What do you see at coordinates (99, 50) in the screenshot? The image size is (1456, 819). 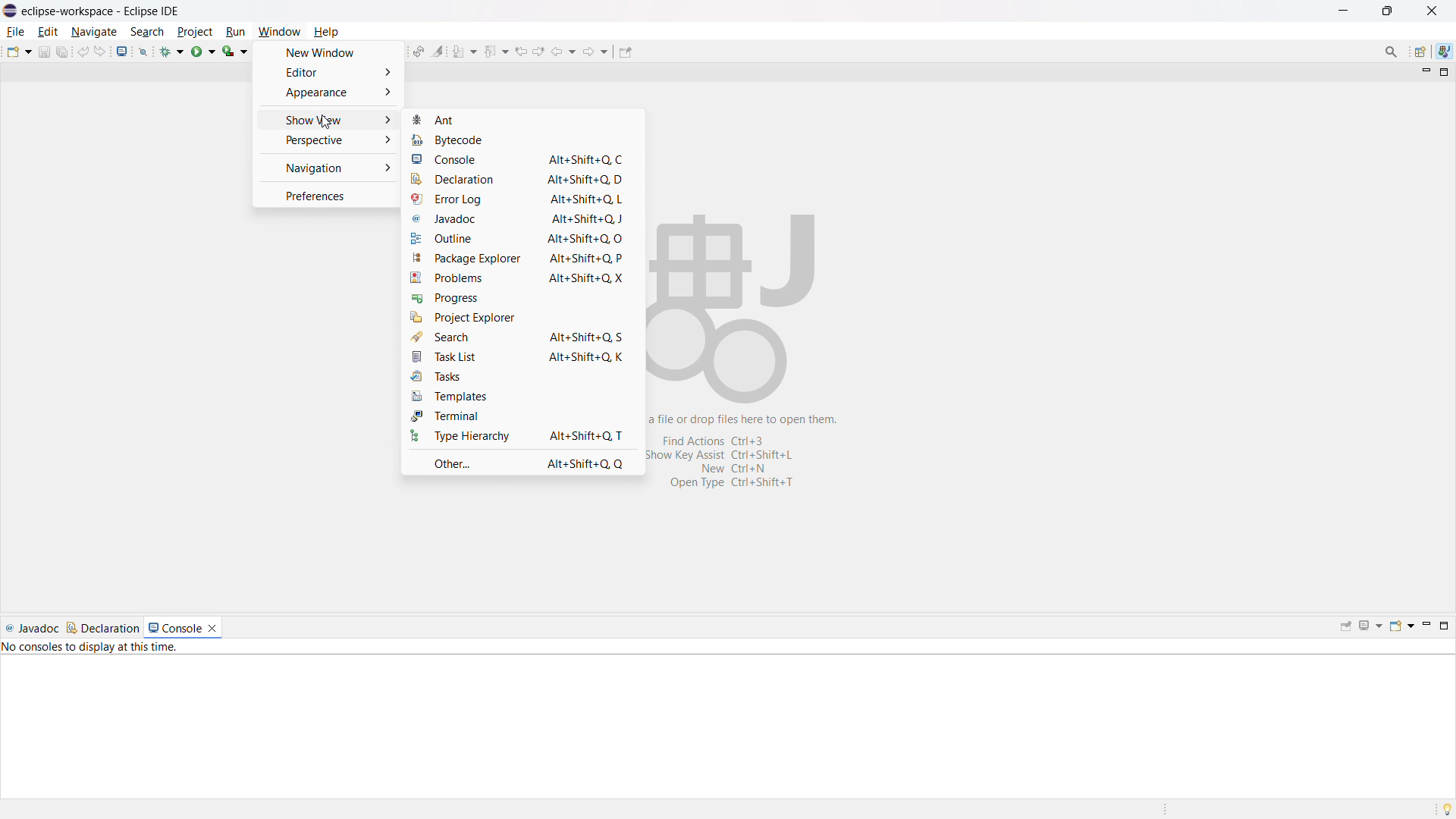 I see `redo` at bounding box center [99, 50].